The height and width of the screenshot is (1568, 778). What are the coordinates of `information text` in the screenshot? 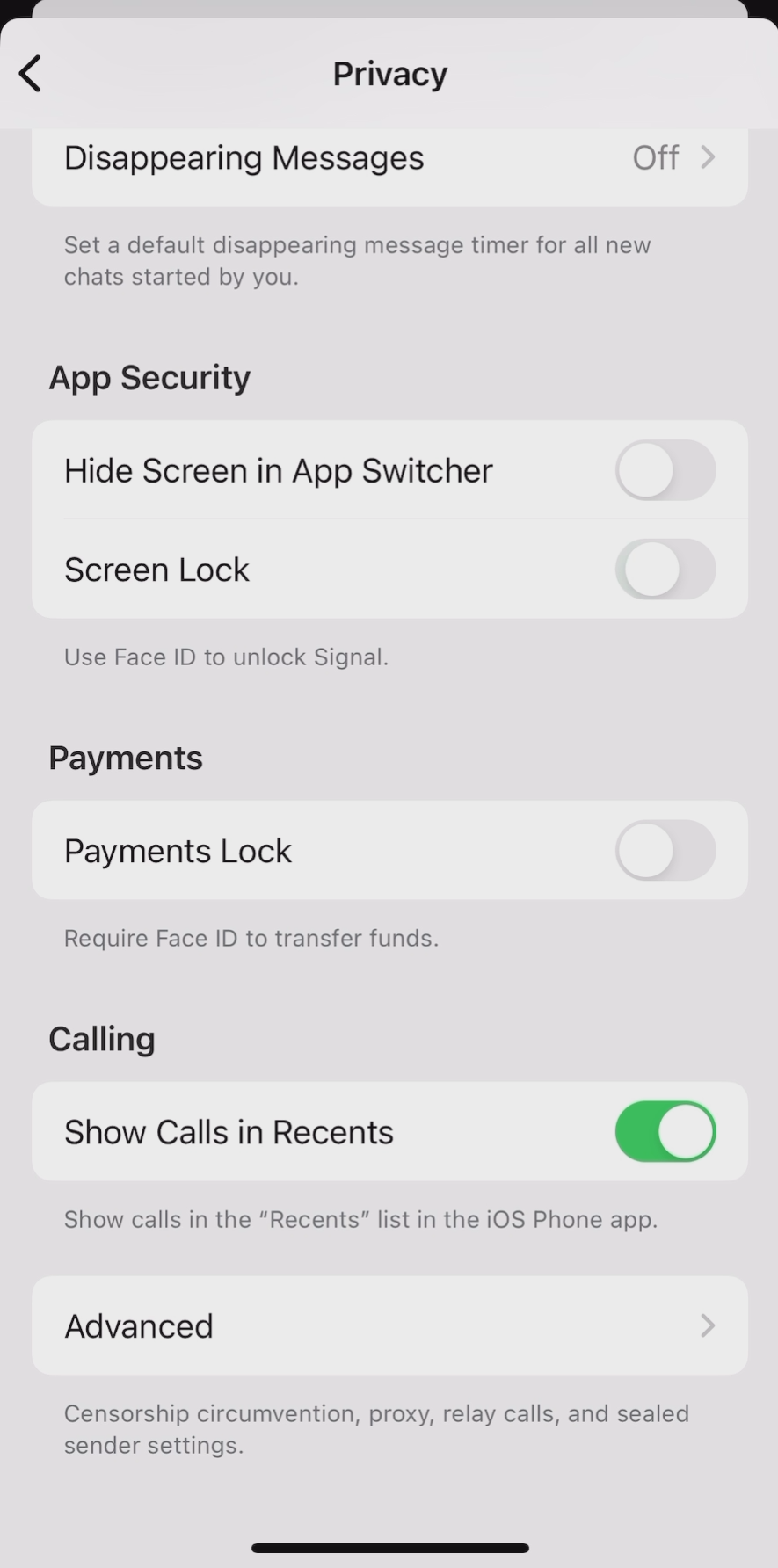 It's located at (379, 1434).